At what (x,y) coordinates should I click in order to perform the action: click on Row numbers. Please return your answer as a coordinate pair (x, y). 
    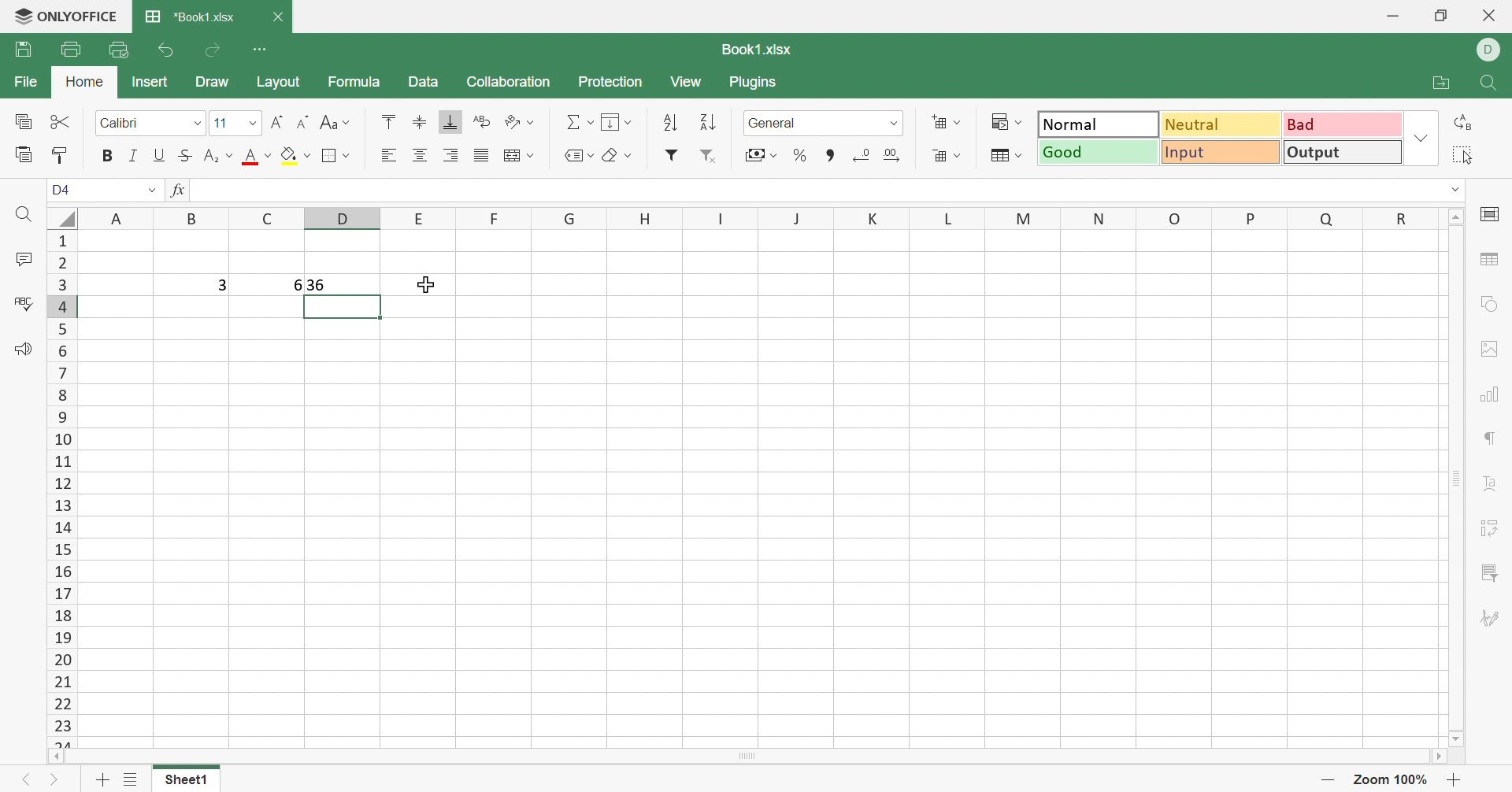
    Looking at the image, I should click on (61, 490).